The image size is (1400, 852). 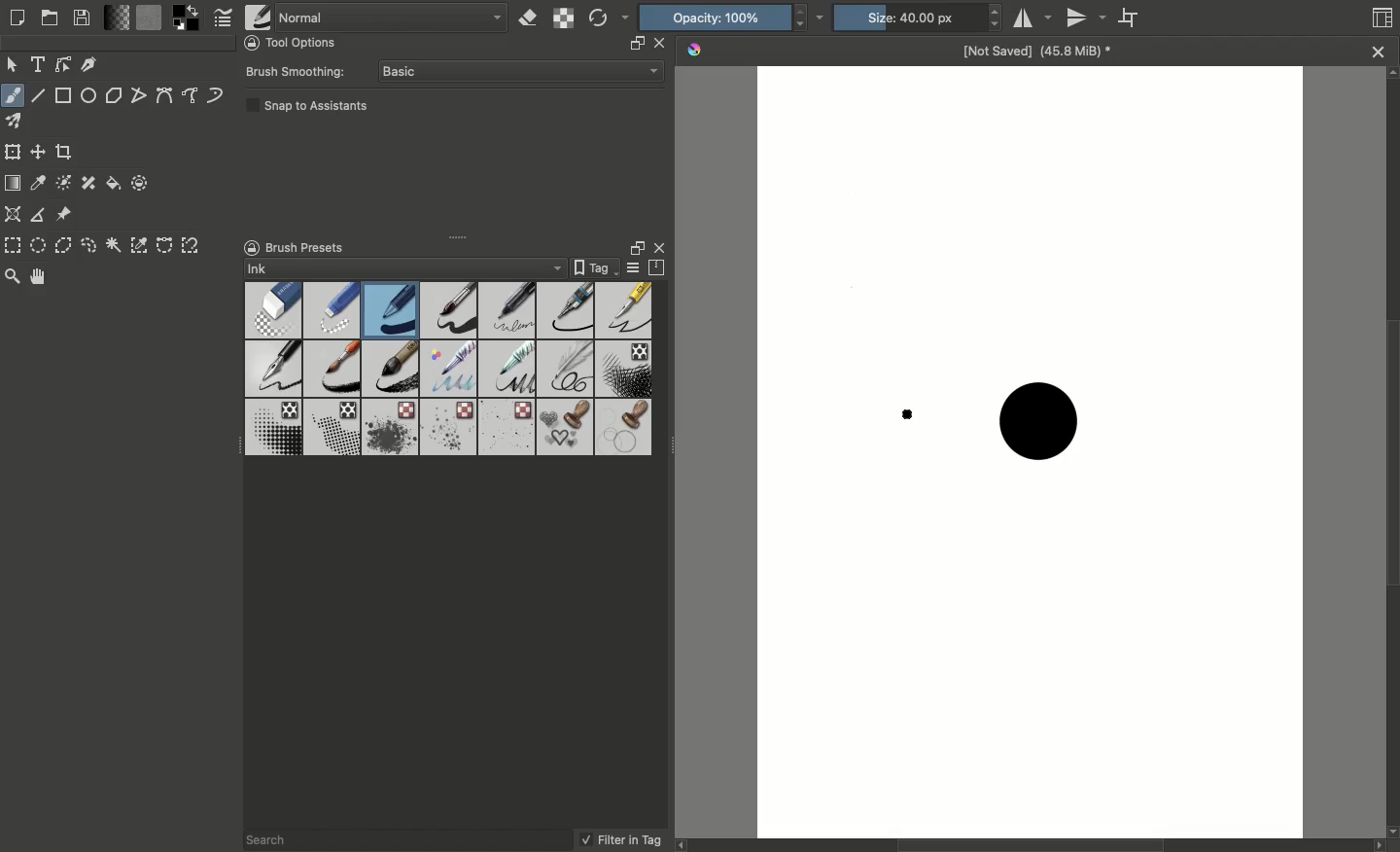 What do you see at coordinates (914, 18) in the screenshot?
I see `Size` at bounding box center [914, 18].